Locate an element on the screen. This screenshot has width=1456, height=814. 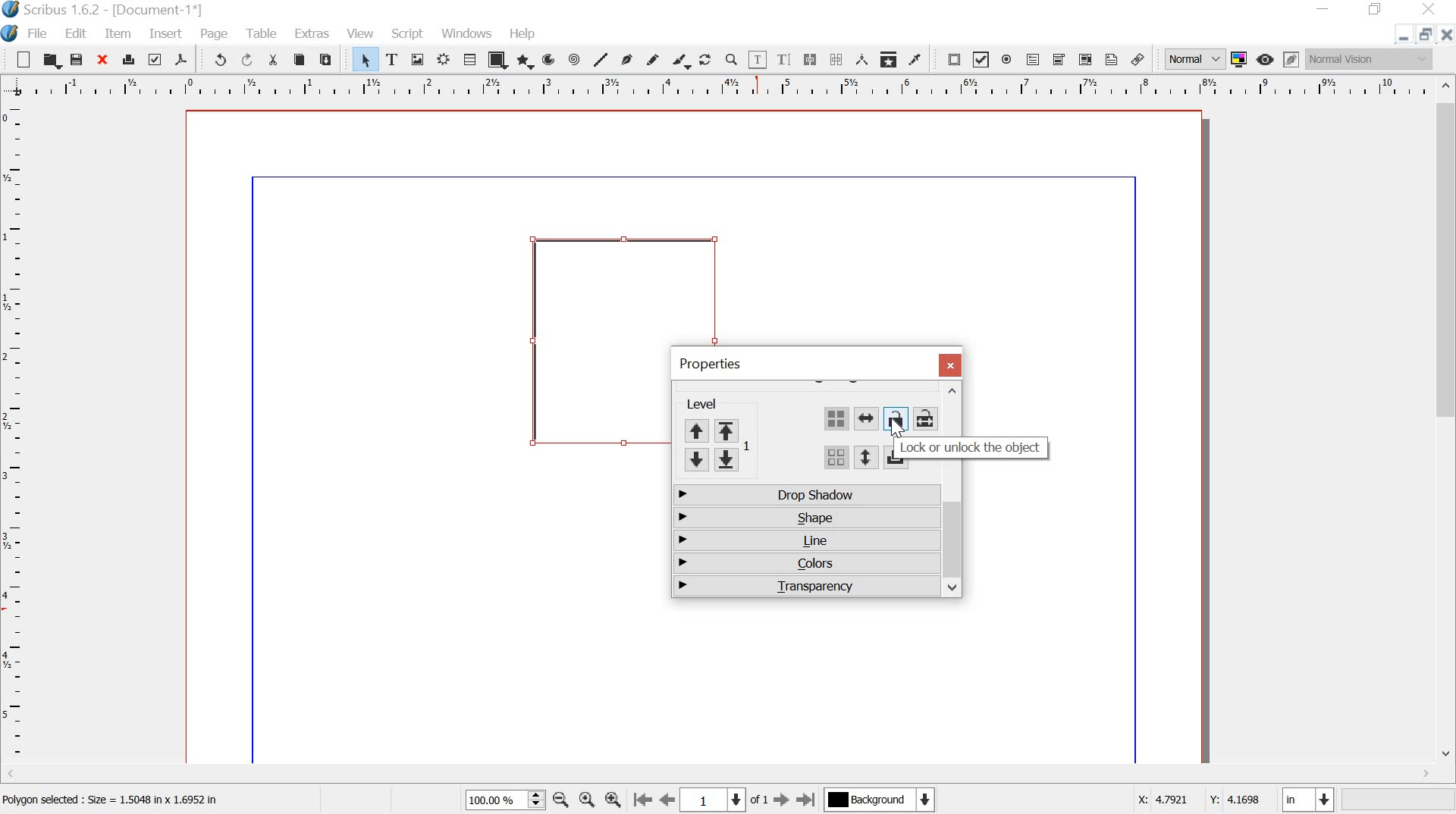
save is located at coordinates (77, 60).